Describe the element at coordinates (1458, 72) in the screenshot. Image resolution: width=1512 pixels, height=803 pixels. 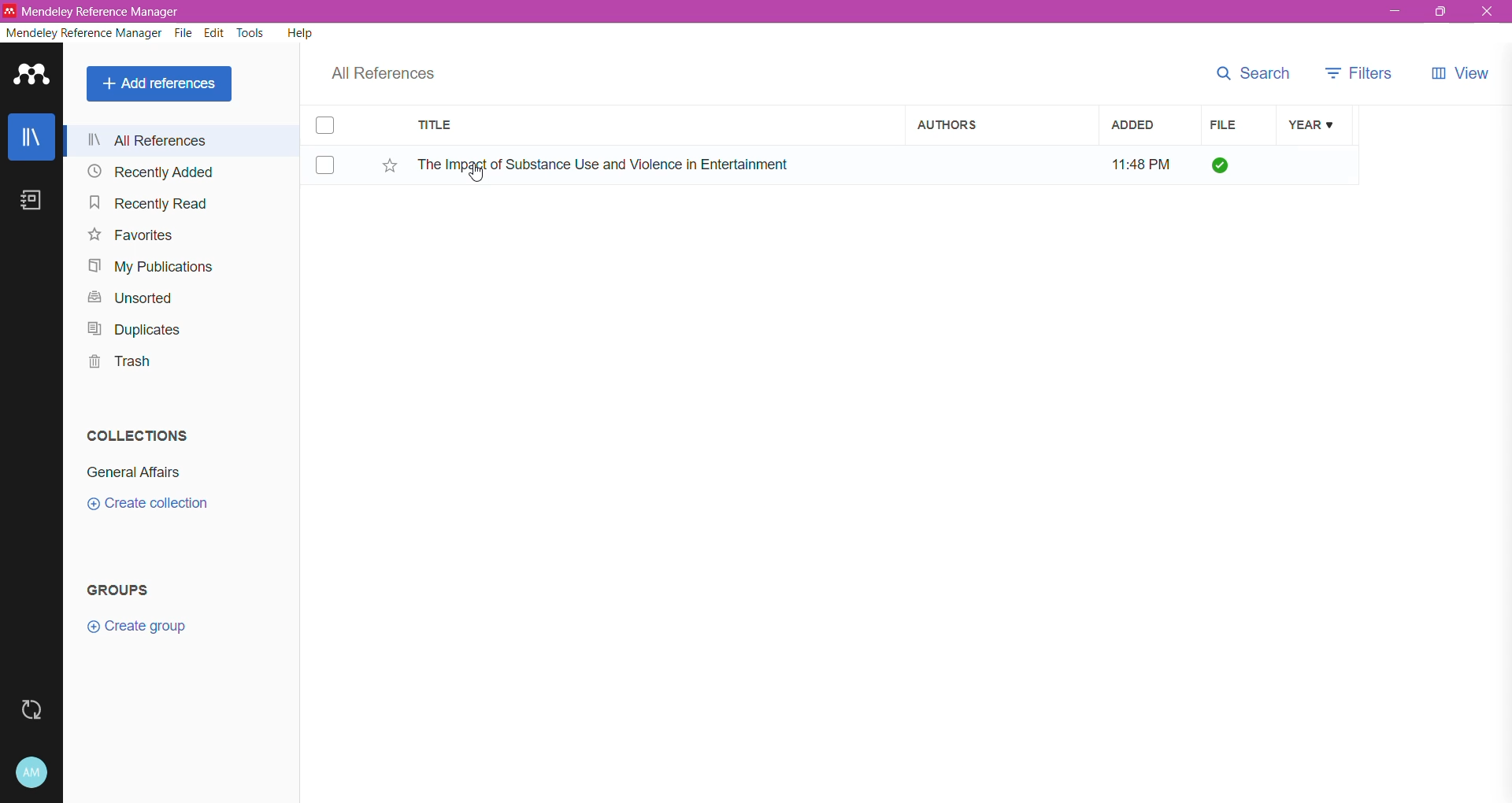
I see `View` at that location.